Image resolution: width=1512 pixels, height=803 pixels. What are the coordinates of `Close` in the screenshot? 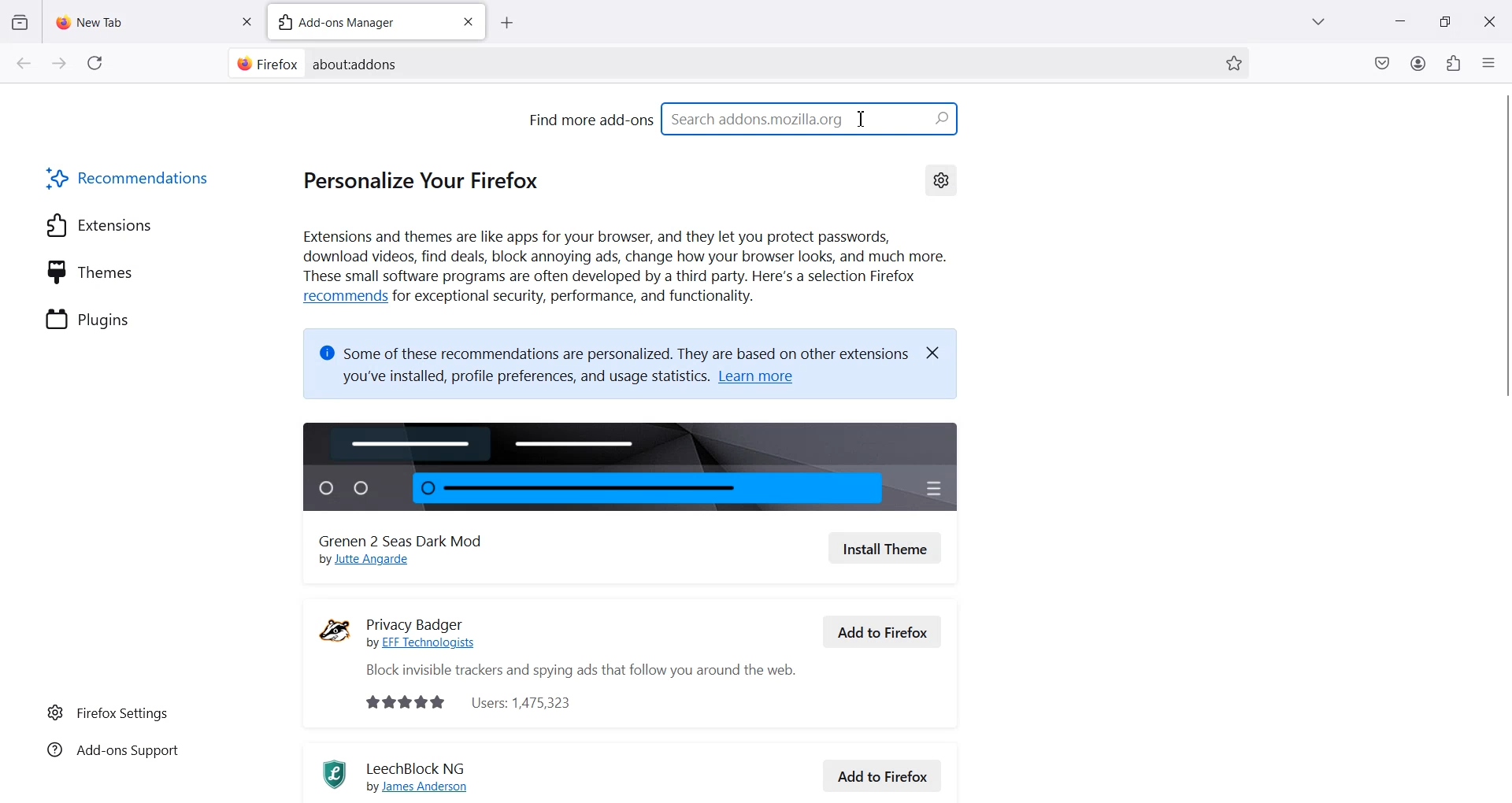 It's located at (939, 351).